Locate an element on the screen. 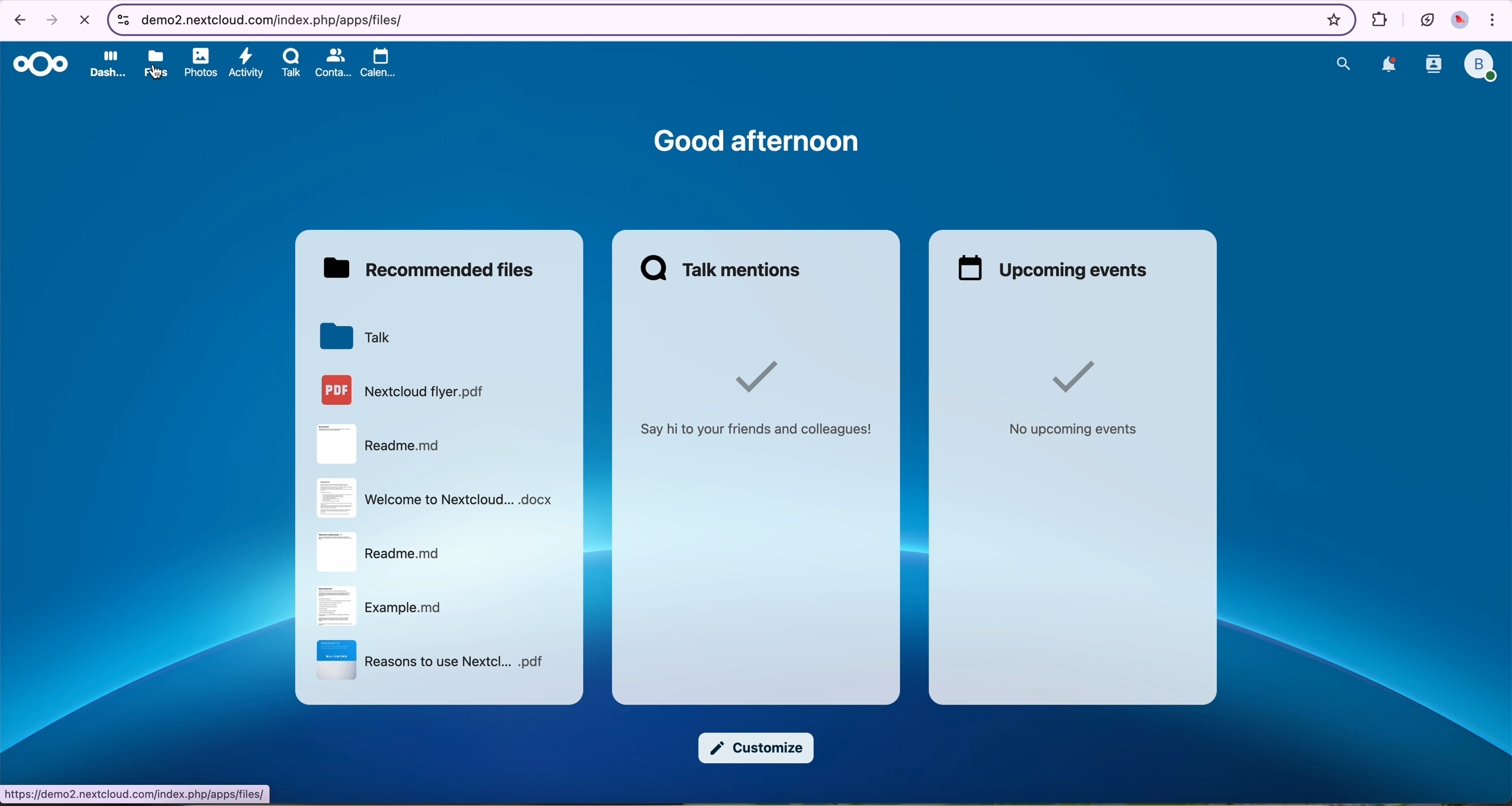  contacts is located at coordinates (332, 63).